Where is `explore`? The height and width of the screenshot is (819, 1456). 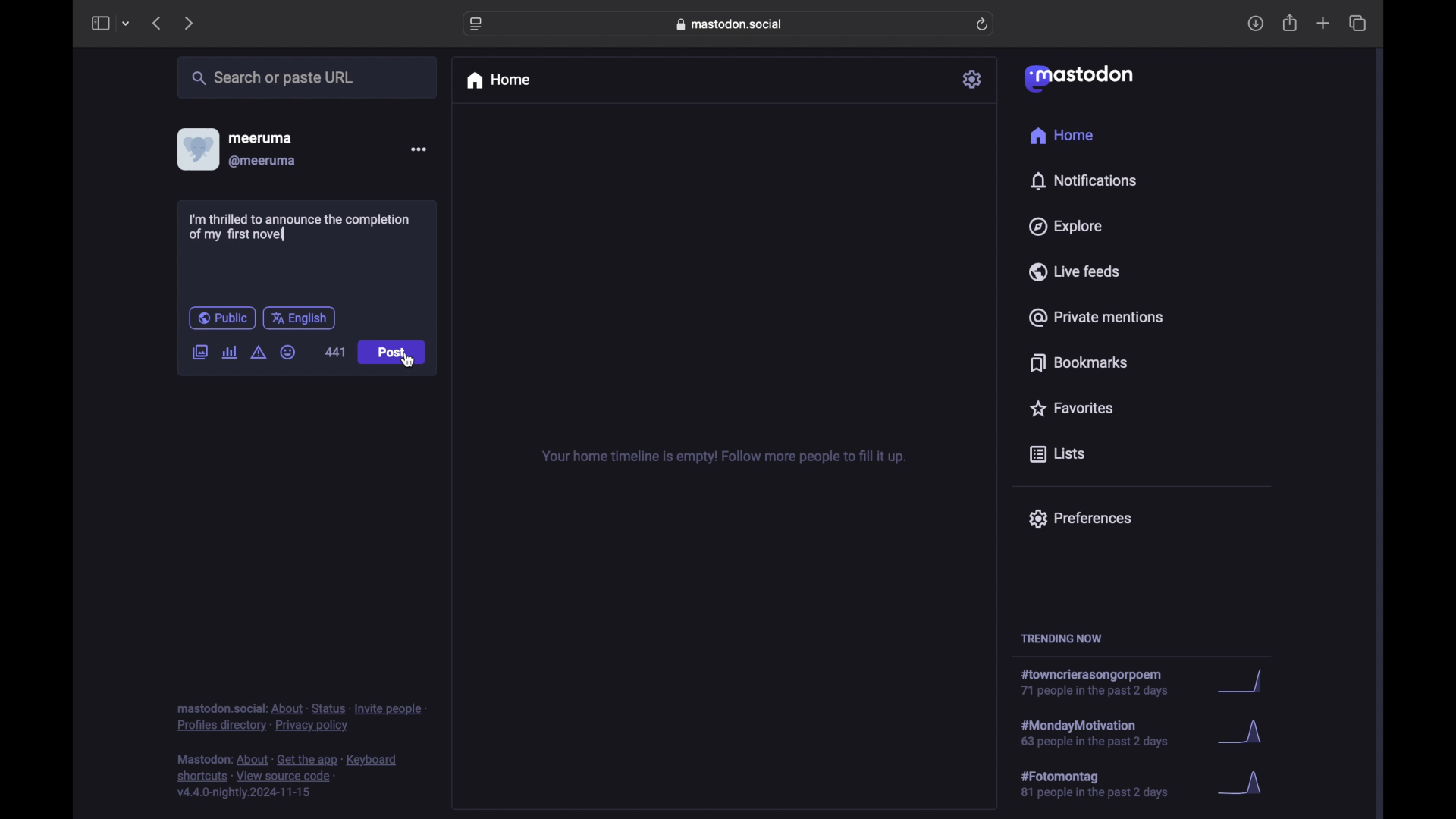
explore is located at coordinates (1066, 227).